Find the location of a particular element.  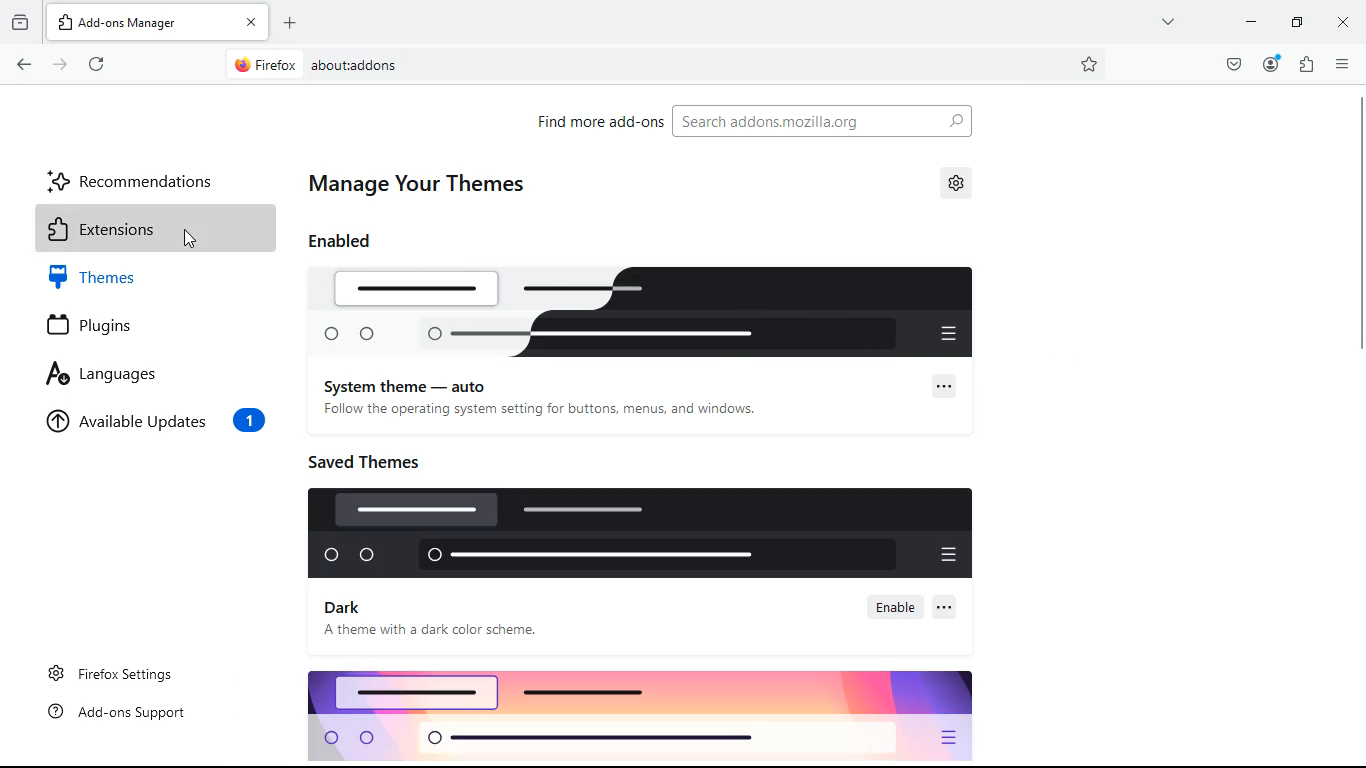

Firefox settings is located at coordinates (120, 674).